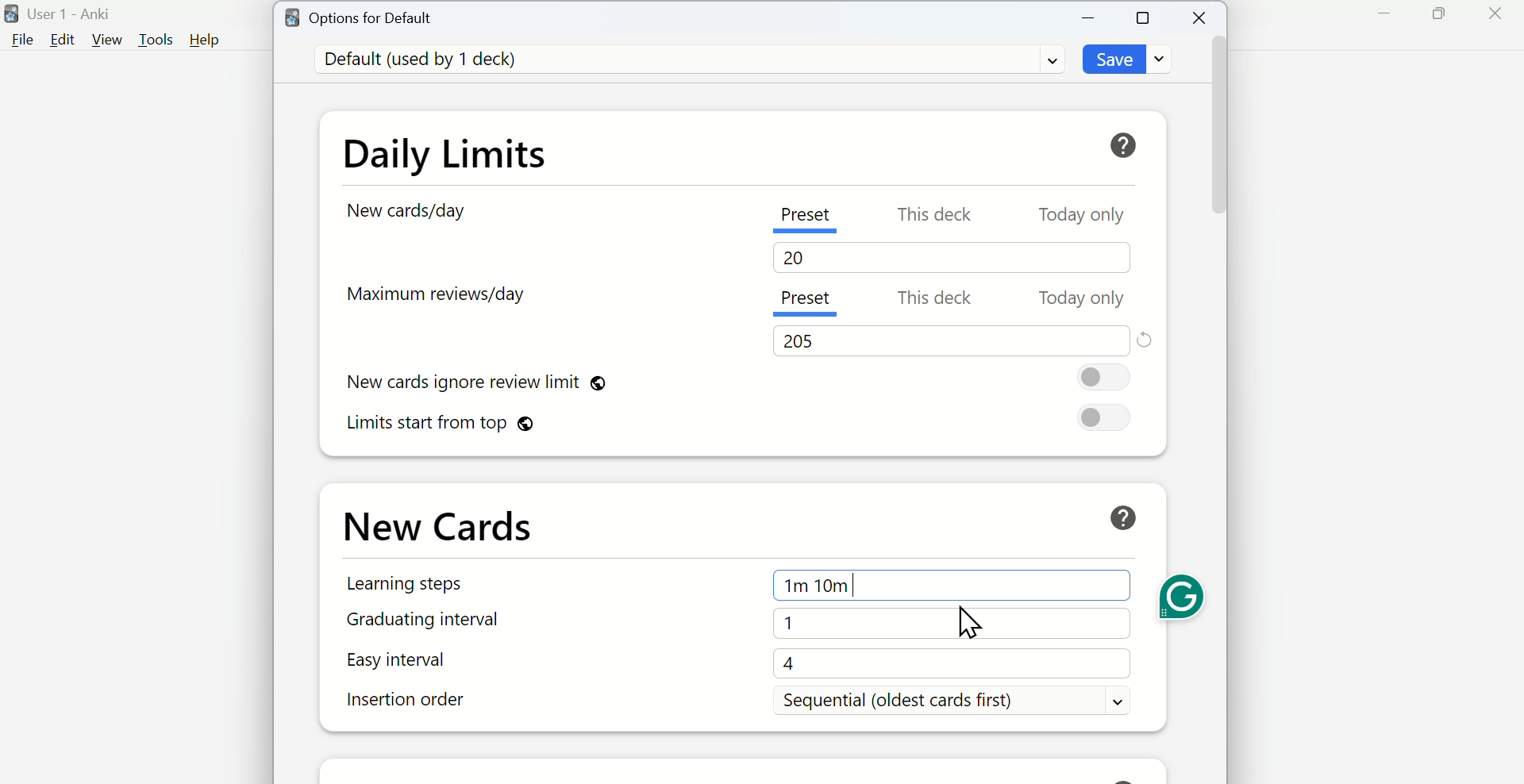 The width and height of the screenshot is (1524, 784). Describe the element at coordinates (946, 623) in the screenshot. I see `1` at that location.